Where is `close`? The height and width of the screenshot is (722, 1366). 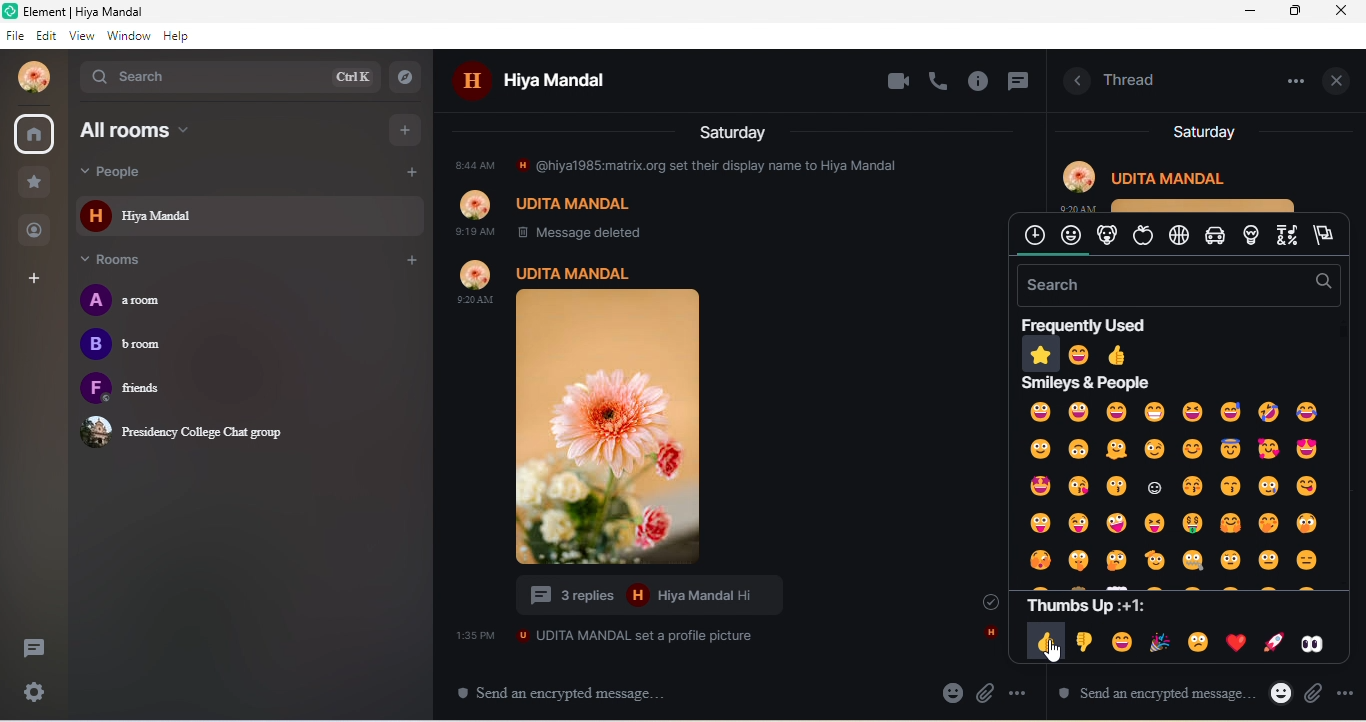
close is located at coordinates (1345, 11).